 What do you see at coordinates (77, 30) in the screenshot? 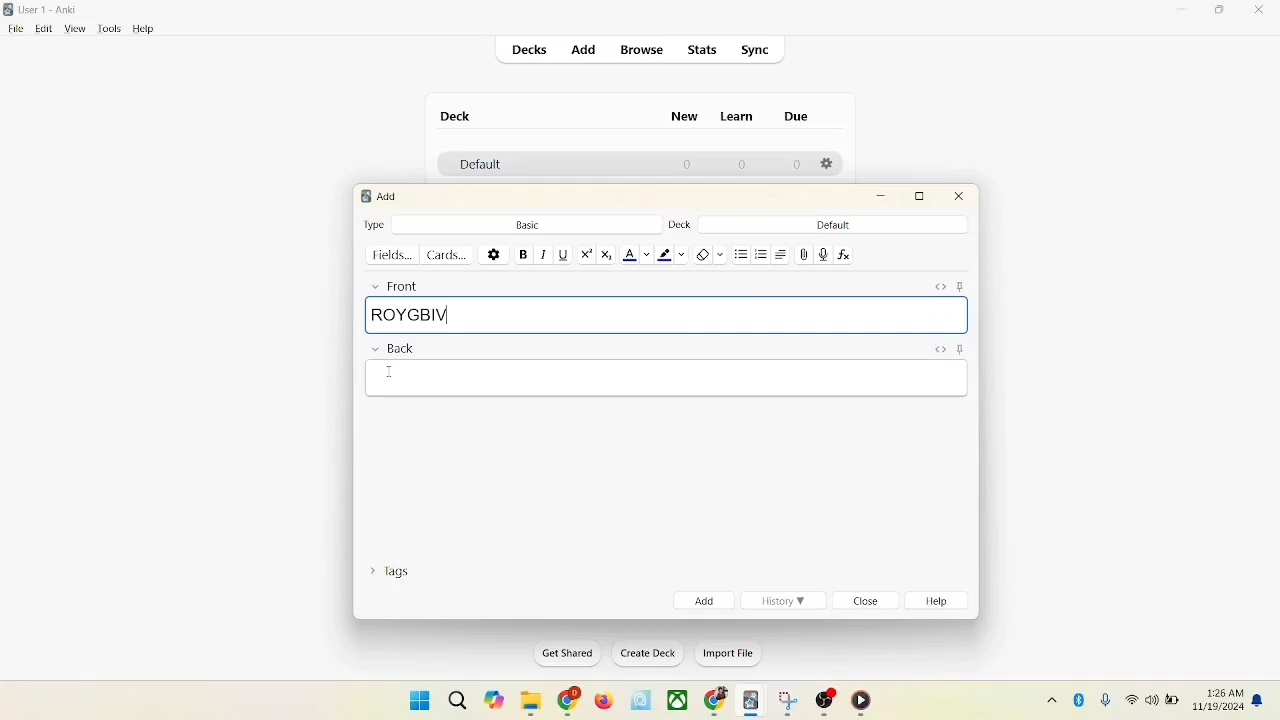
I see `view` at bounding box center [77, 30].